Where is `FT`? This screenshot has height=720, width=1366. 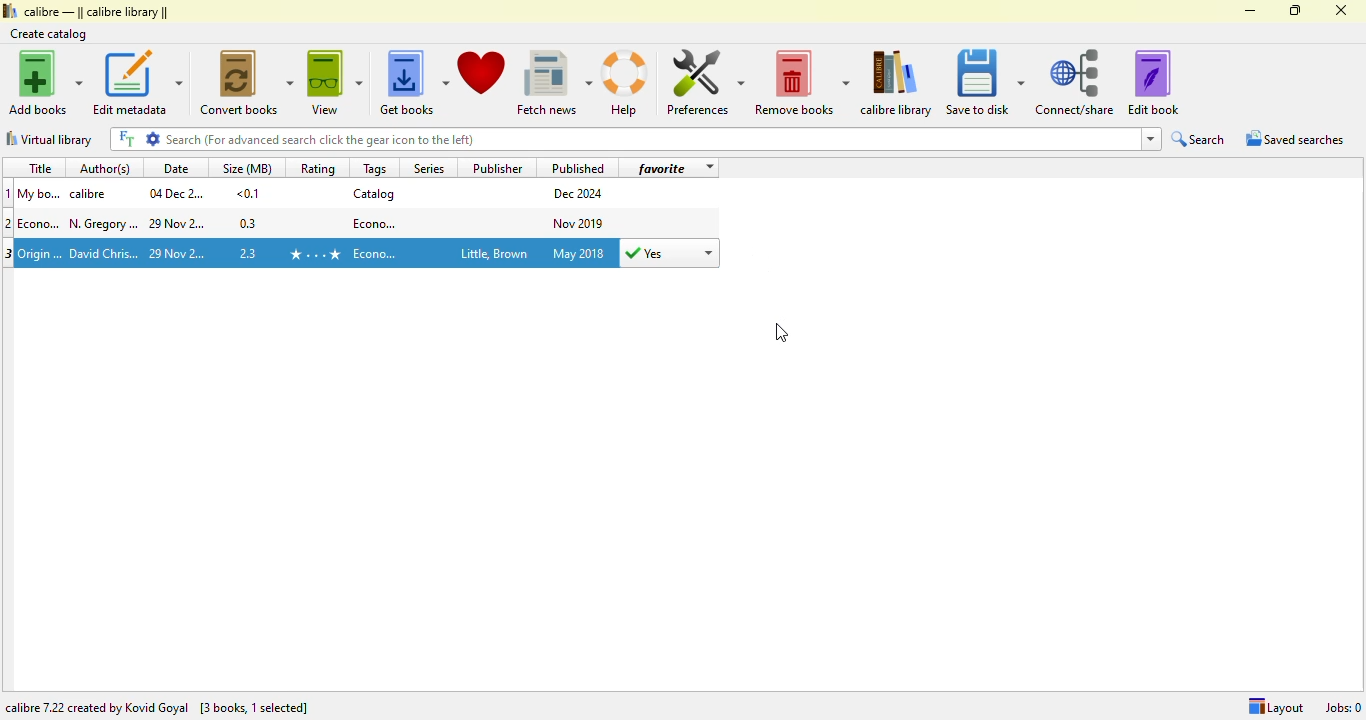
FT is located at coordinates (125, 139).